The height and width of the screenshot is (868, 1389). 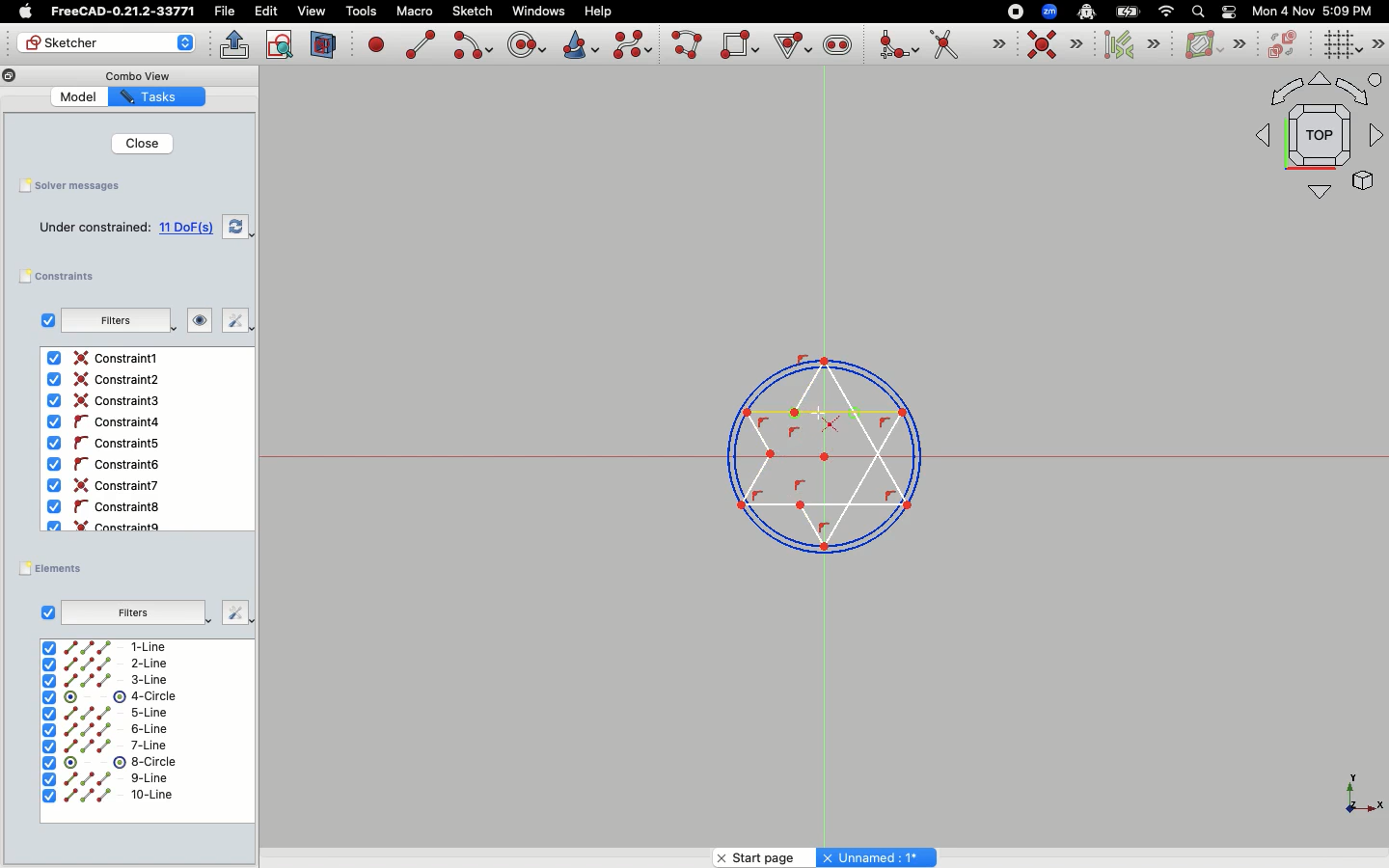 What do you see at coordinates (106, 507) in the screenshot?
I see `Constraint8` at bounding box center [106, 507].